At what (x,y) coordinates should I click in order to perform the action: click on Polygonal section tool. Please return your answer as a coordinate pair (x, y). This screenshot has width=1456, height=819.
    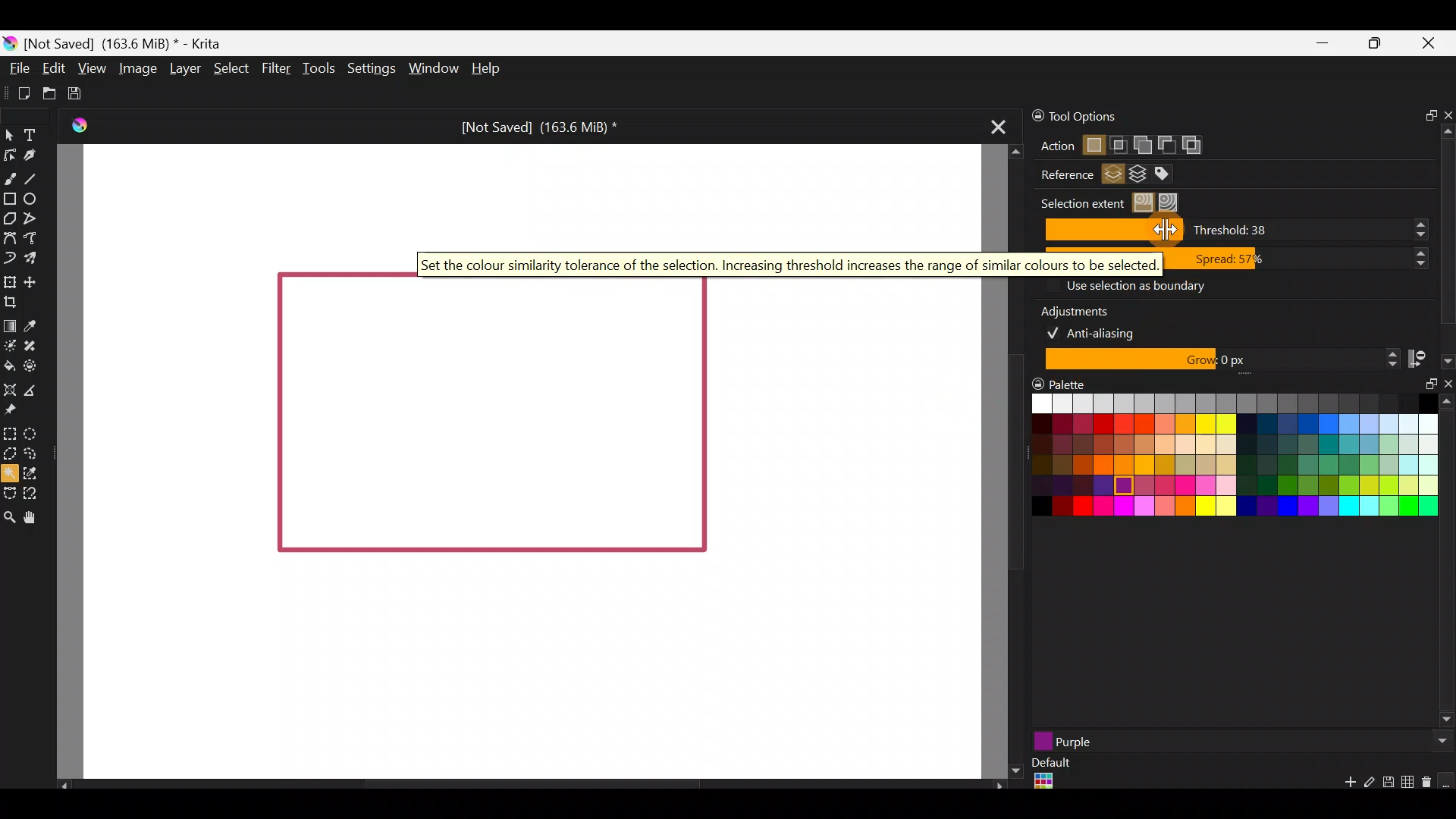
    Looking at the image, I should click on (10, 454).